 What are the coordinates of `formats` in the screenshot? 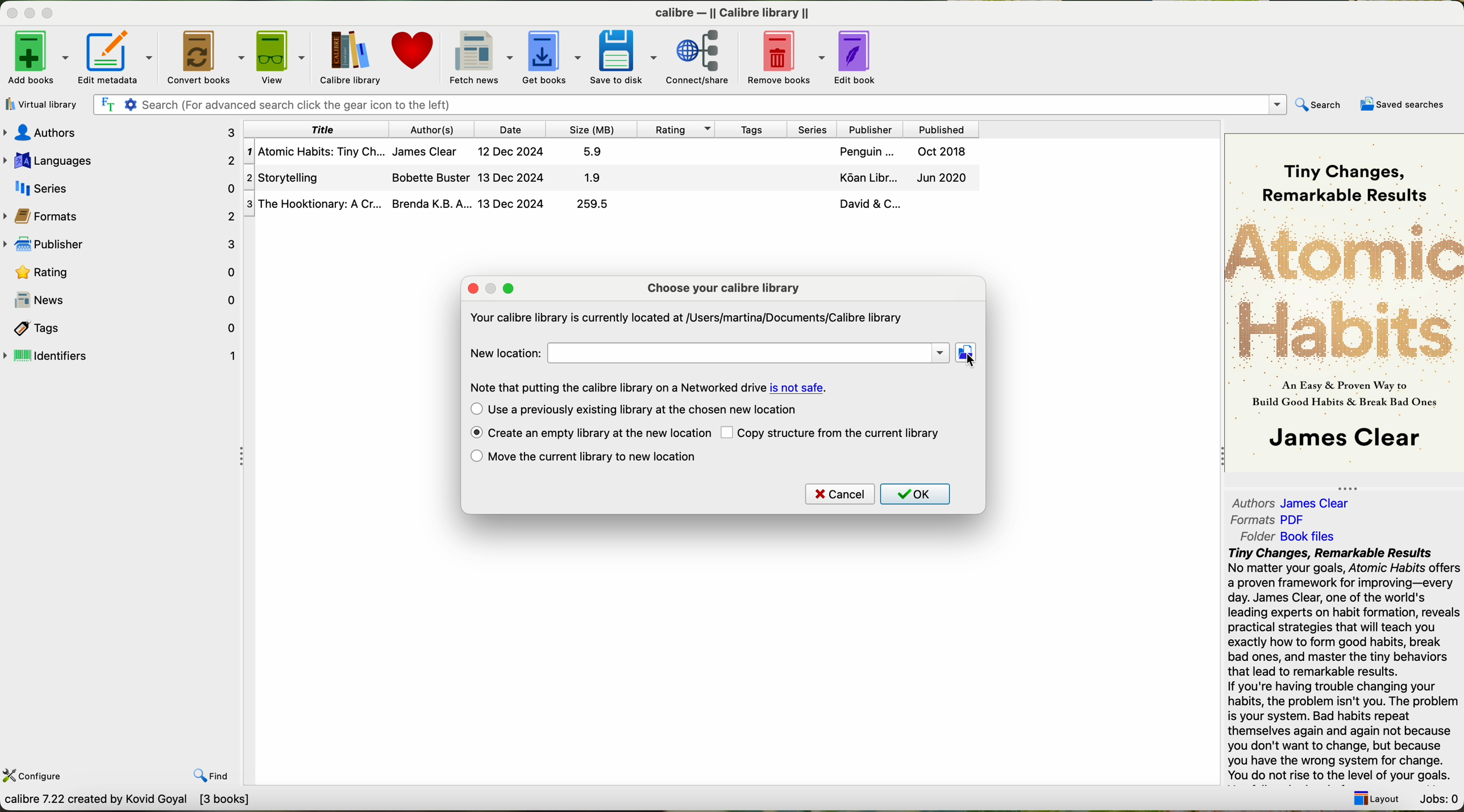 It's located at (121, 215).